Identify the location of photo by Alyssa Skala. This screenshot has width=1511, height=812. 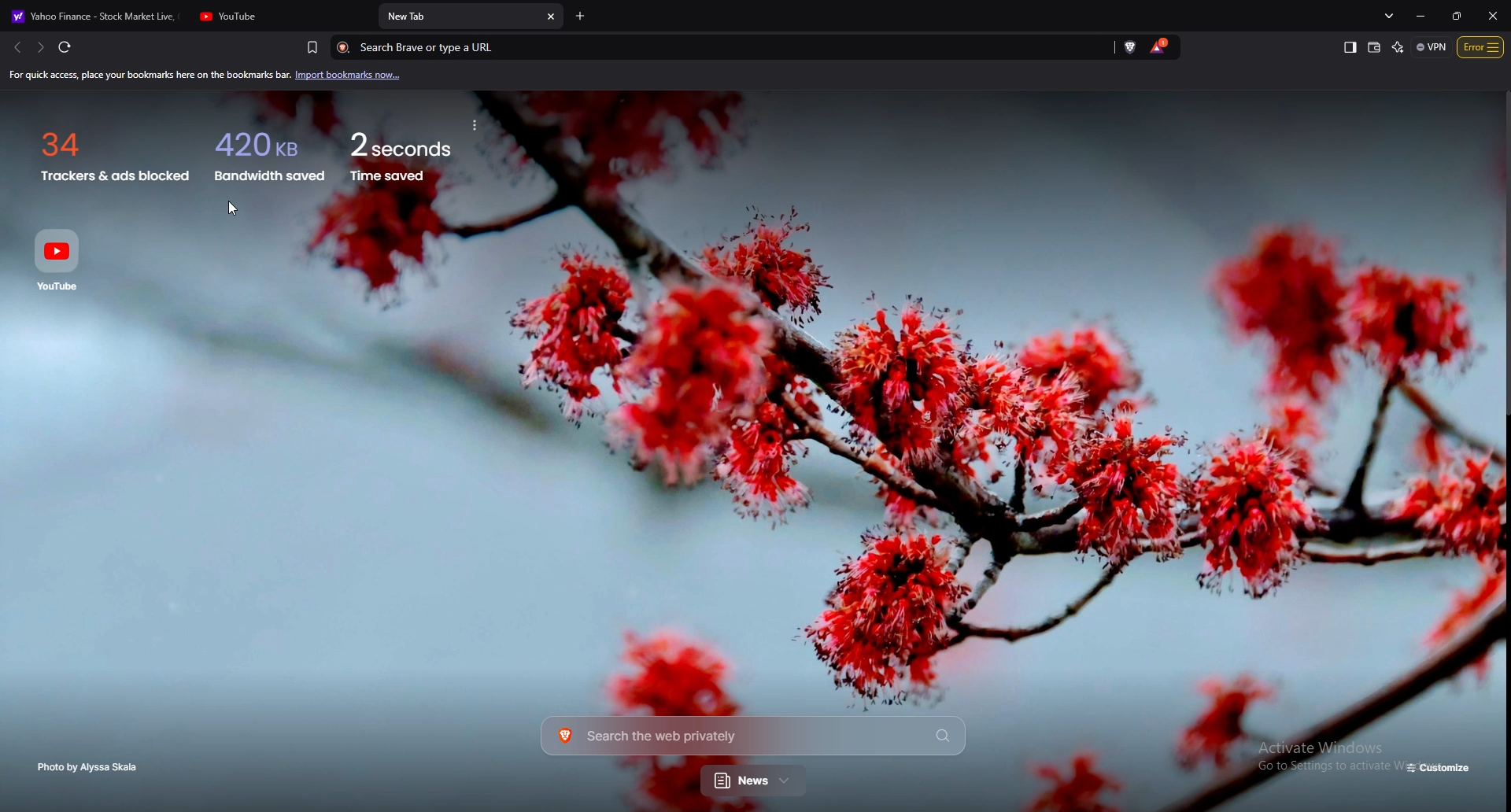
(92, 767).